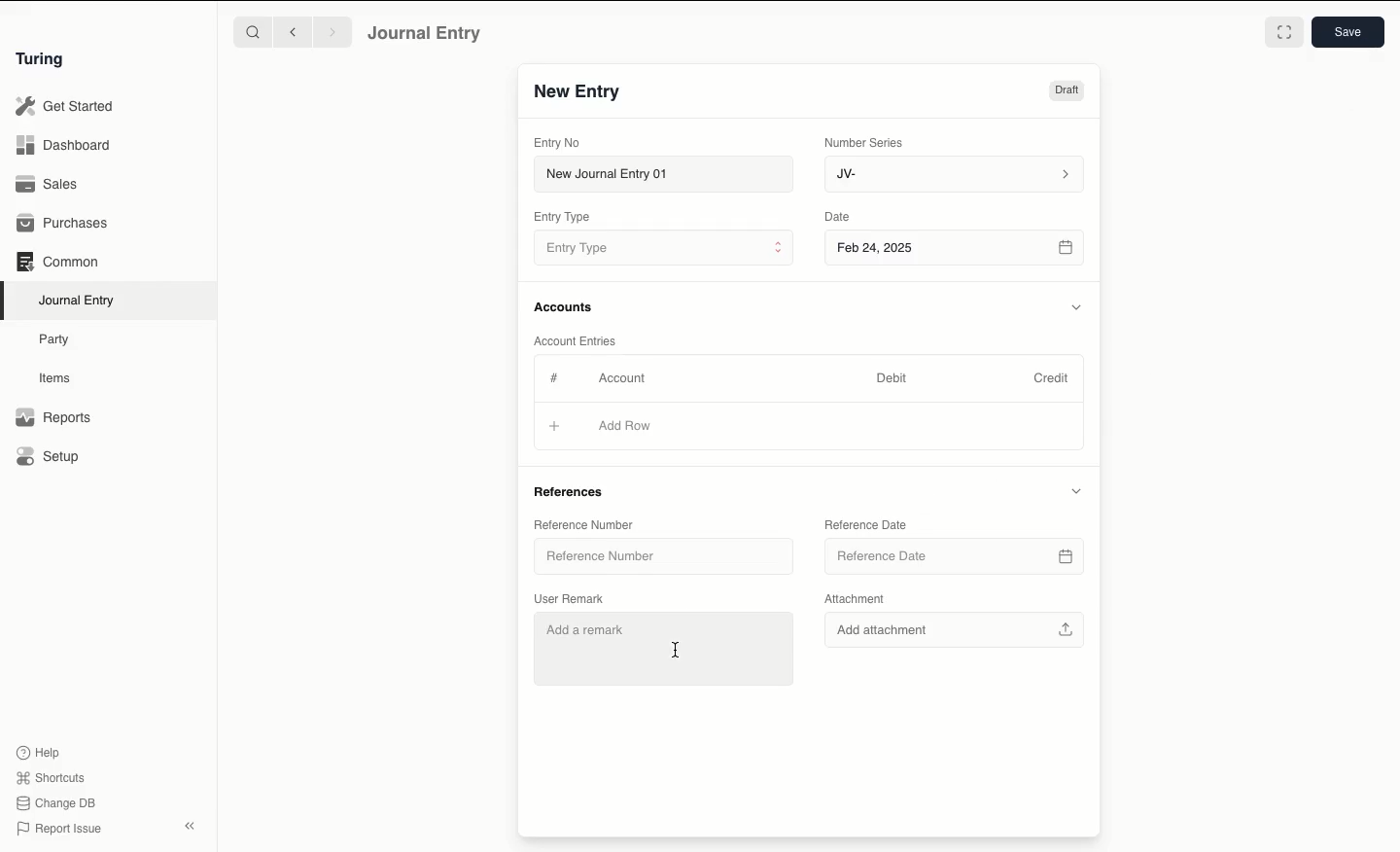  Describe the element at coordinates (623, 378) in the screenshot. I see `Account` at that location.